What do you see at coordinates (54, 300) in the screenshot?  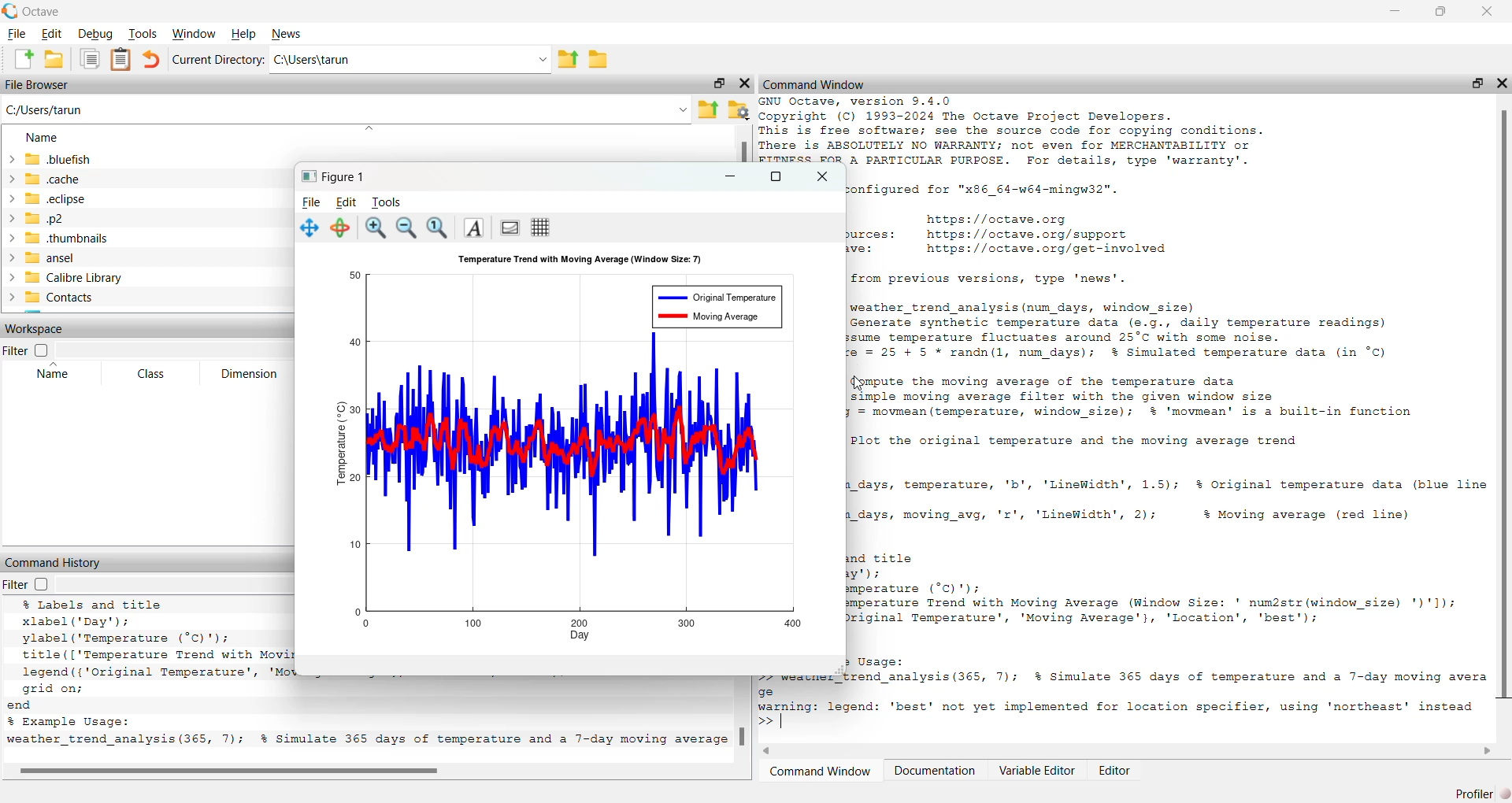 I see `Contacts` at bounding box center [54, 300].